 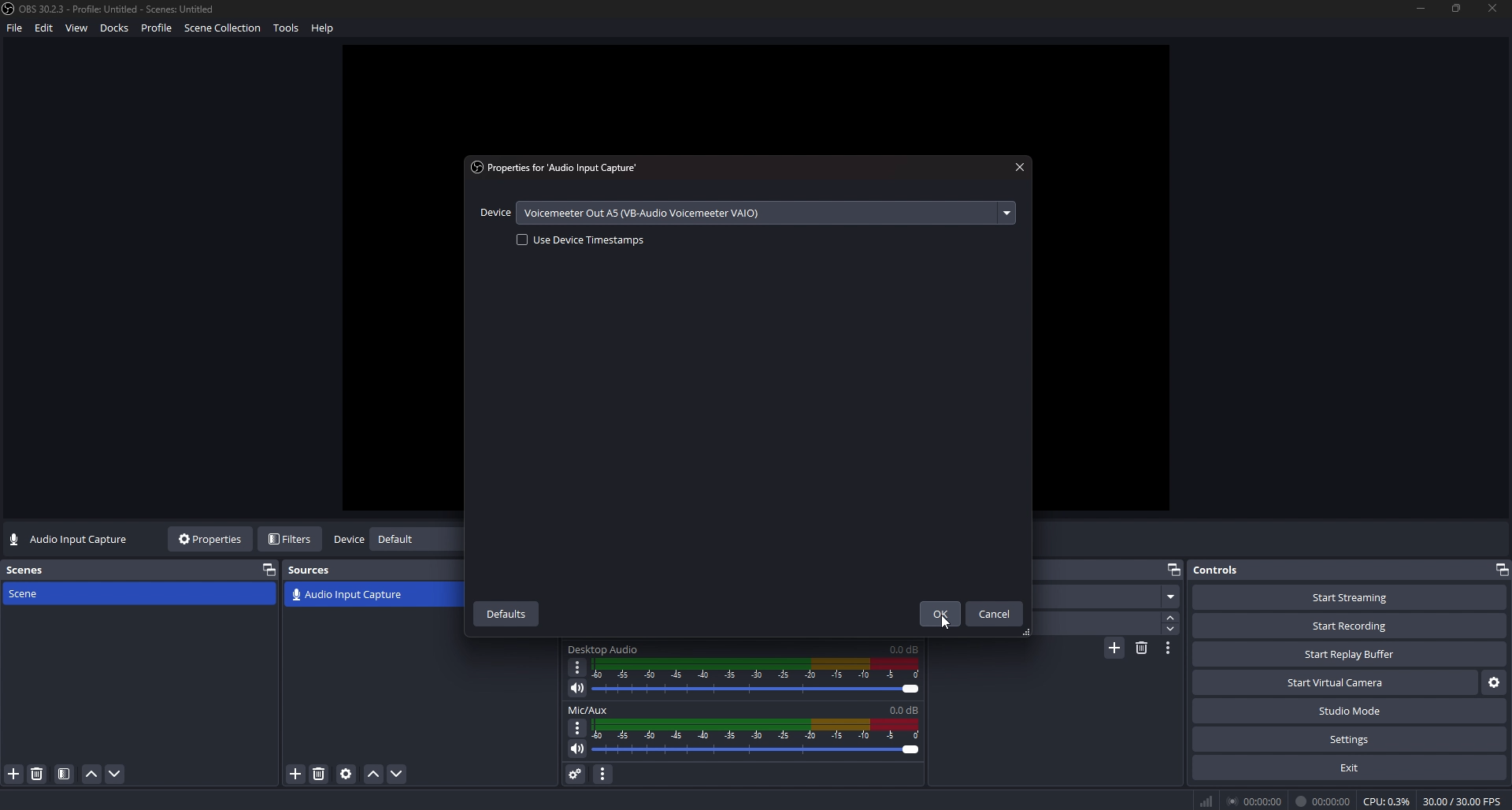 What do you see at coordinates (1349, 767) in the screenshot?
I see `exit` at bounding box center [1349, 767].